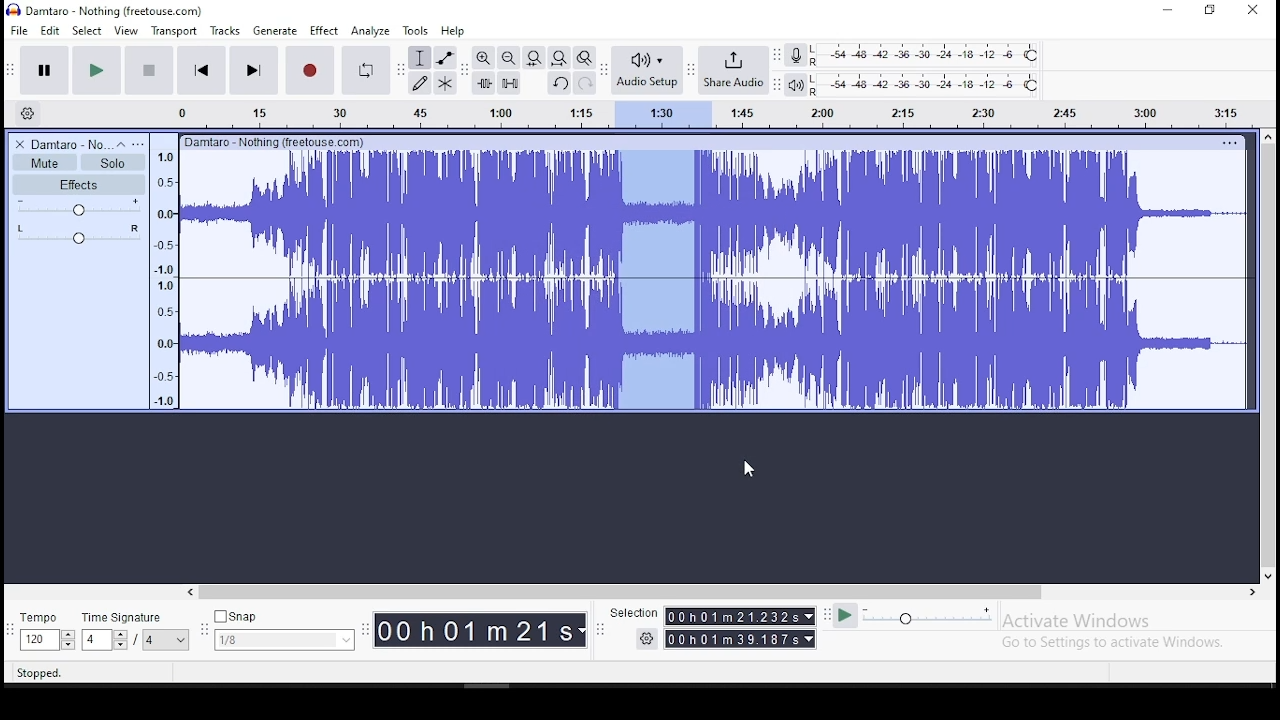  Describe the element at coordinates (26, 112) in the screenshot. I see `timeline settings` at that location.